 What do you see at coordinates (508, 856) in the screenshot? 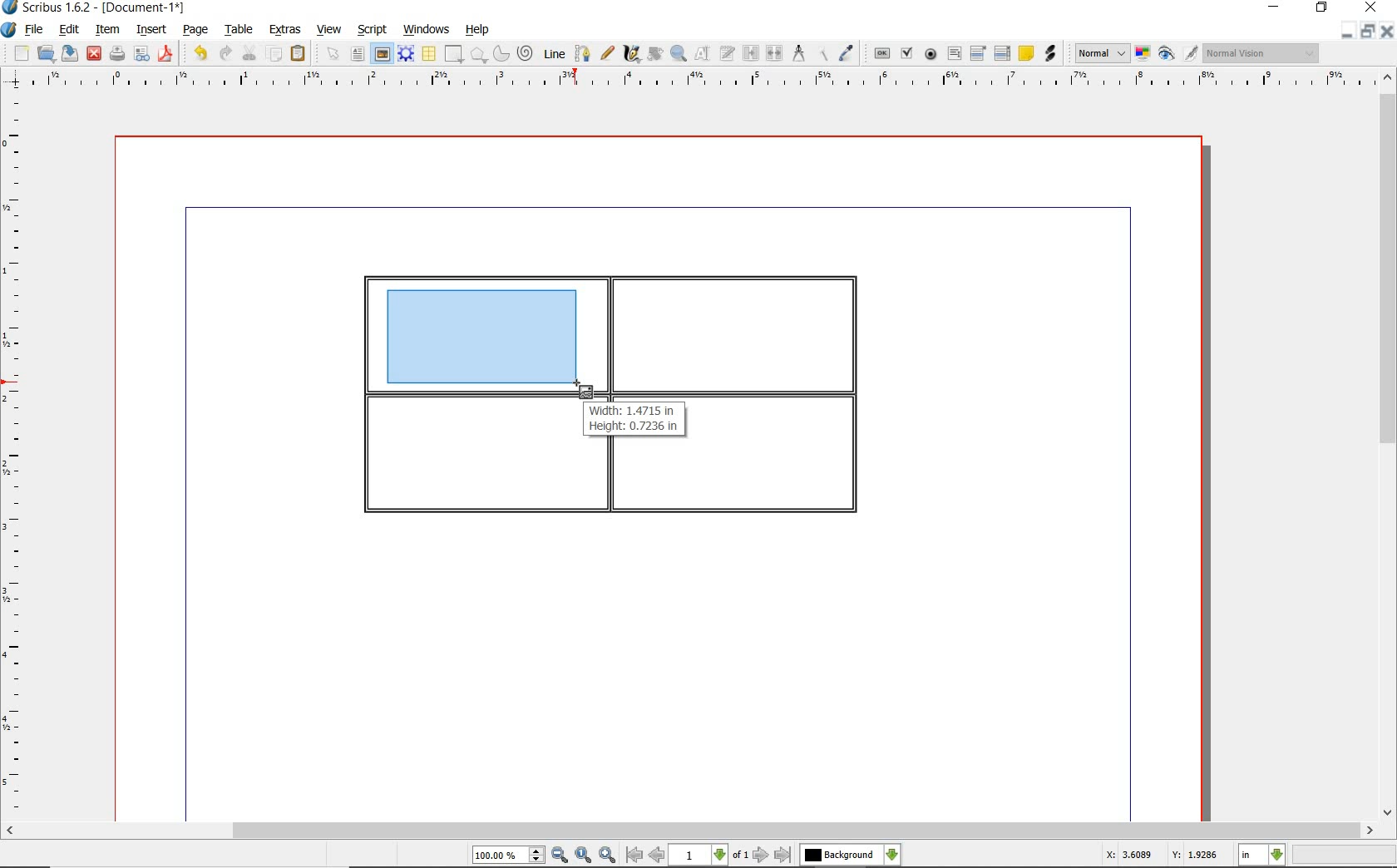
I see `select current zoom level` at bounding box center [508, 856].